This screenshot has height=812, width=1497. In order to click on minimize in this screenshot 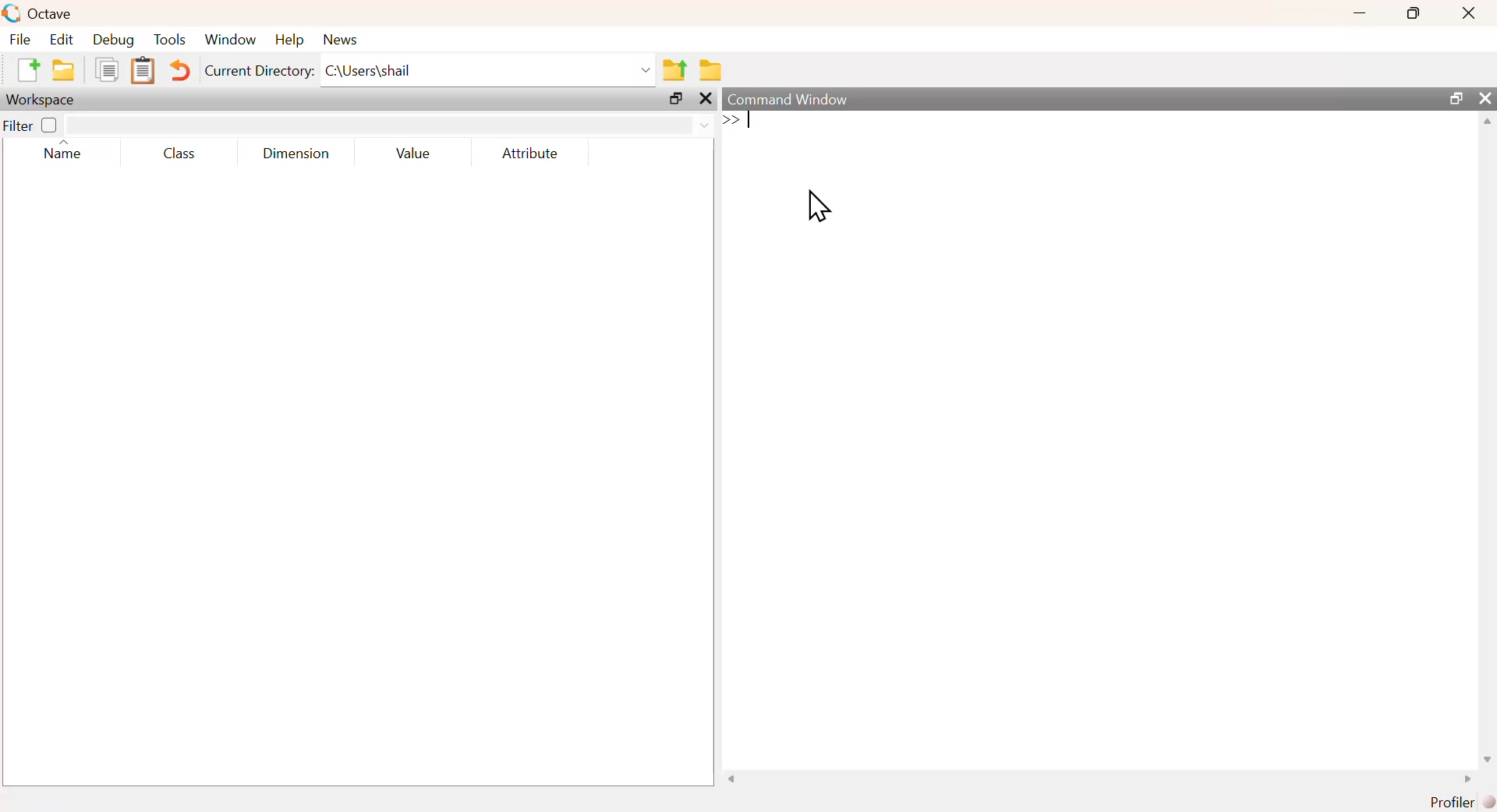, I will do `click(1362, 13)`.